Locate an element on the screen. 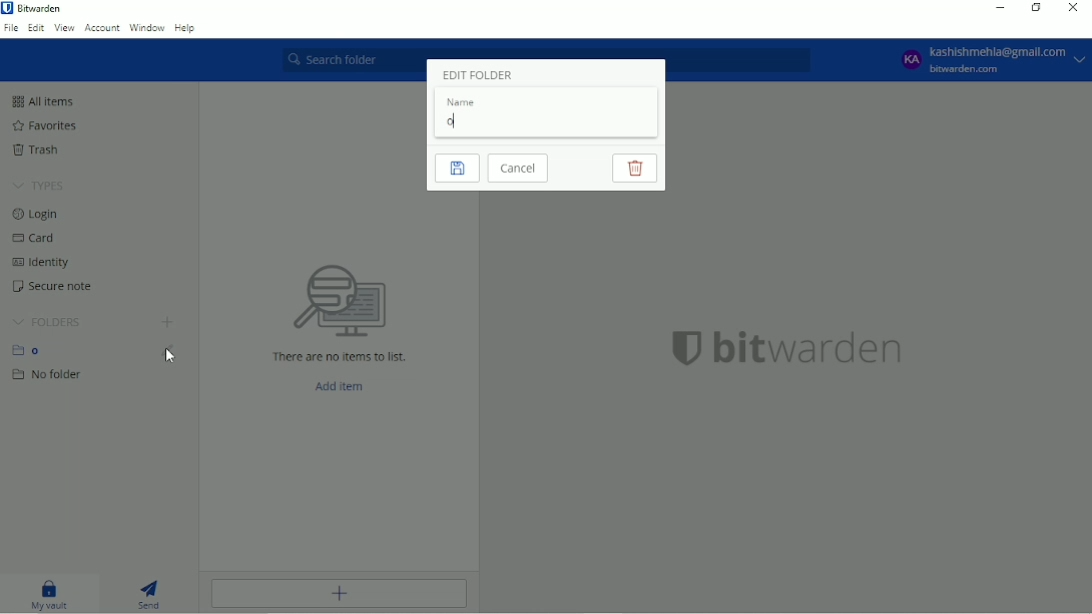 The width and height of the screenshot is (1092, 614). Restore down is located at coordinates (1035, 9).